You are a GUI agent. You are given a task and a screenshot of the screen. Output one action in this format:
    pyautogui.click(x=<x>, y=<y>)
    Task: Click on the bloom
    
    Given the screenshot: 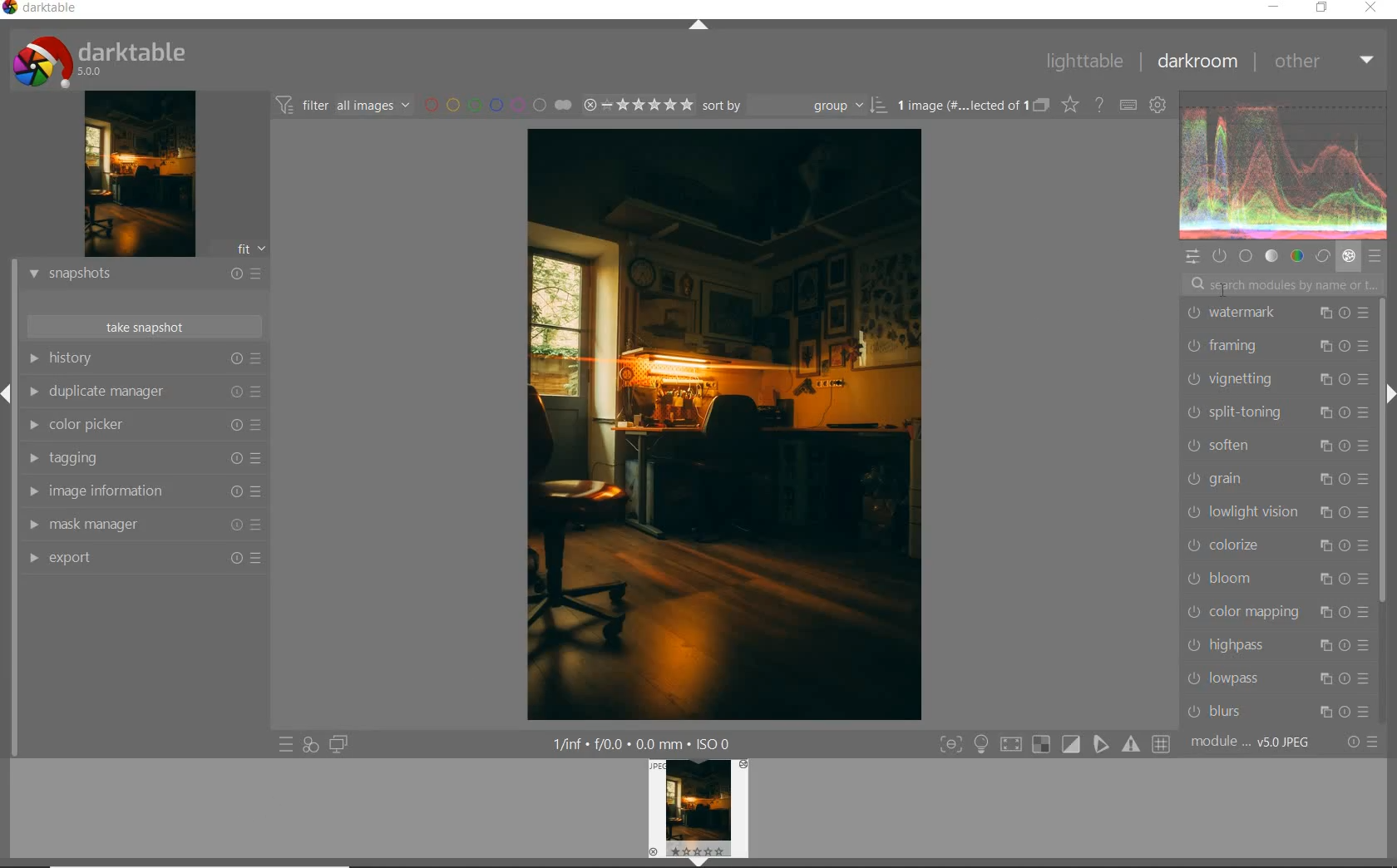 What is the action you would take?
    pyautogui.click(x=1277, y=578)
    